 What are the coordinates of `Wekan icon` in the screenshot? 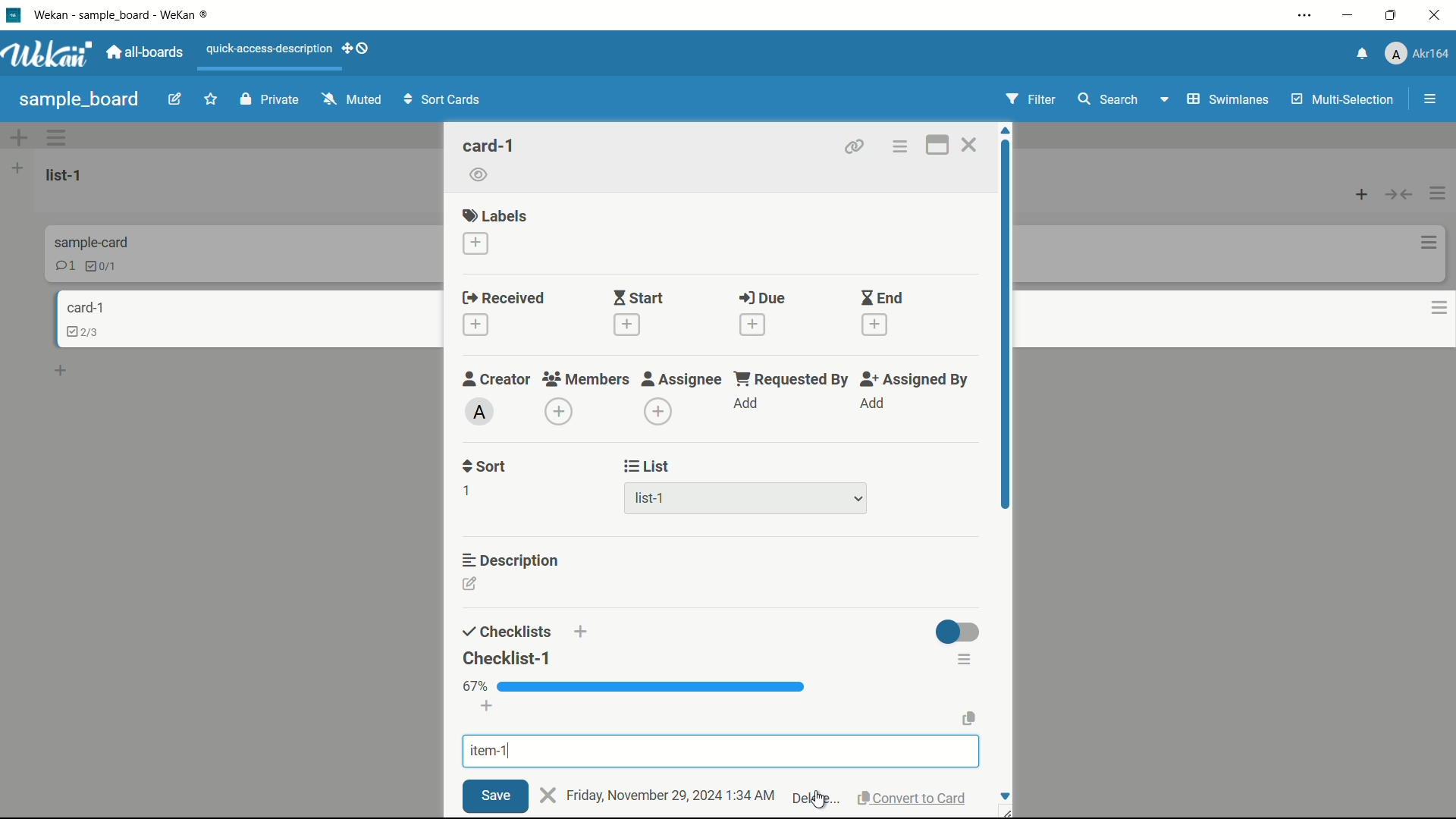 It's located at (13, 15).